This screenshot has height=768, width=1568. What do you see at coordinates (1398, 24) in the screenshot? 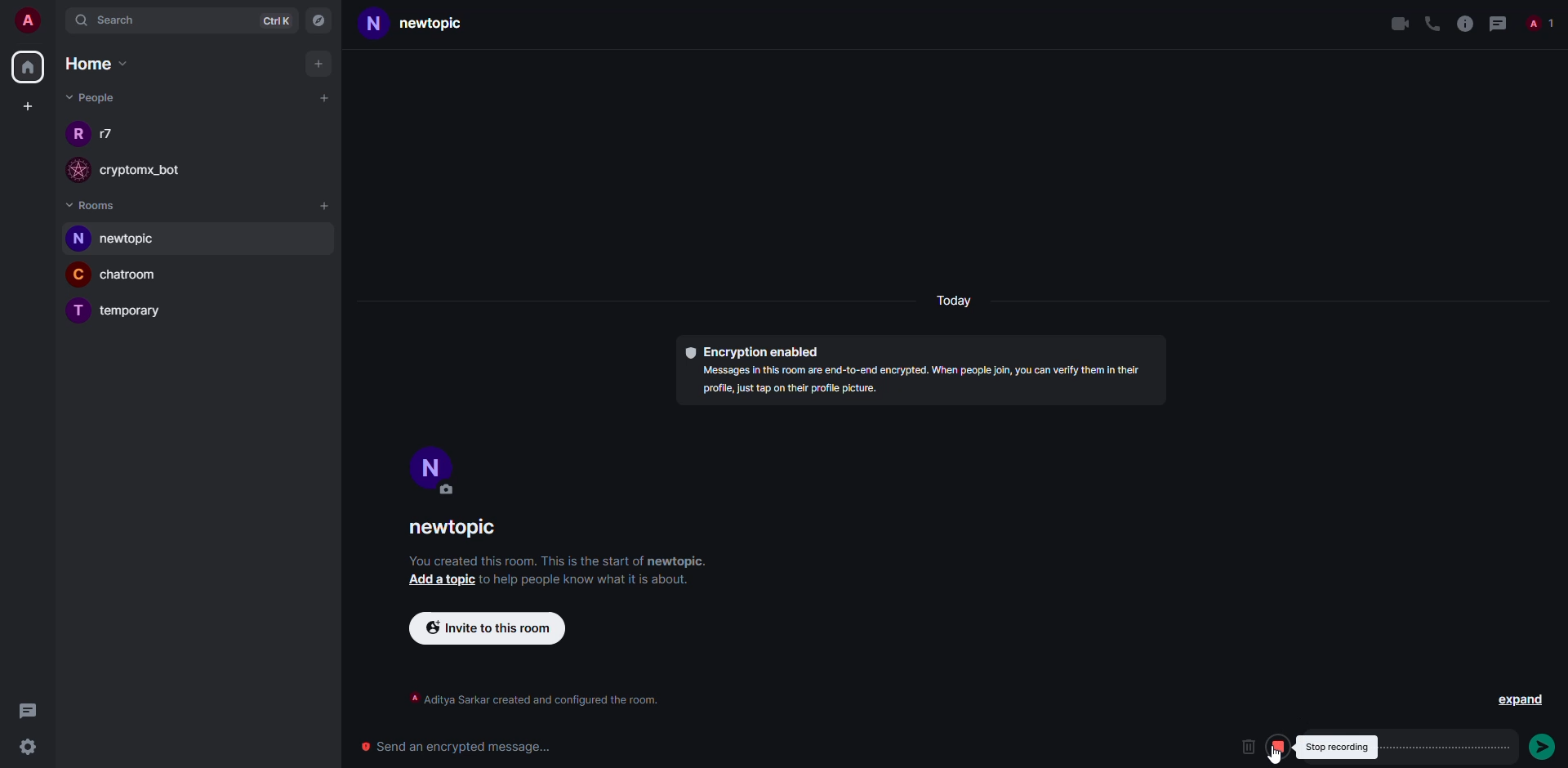
I see `video call` at bounding box center [1398, 24].